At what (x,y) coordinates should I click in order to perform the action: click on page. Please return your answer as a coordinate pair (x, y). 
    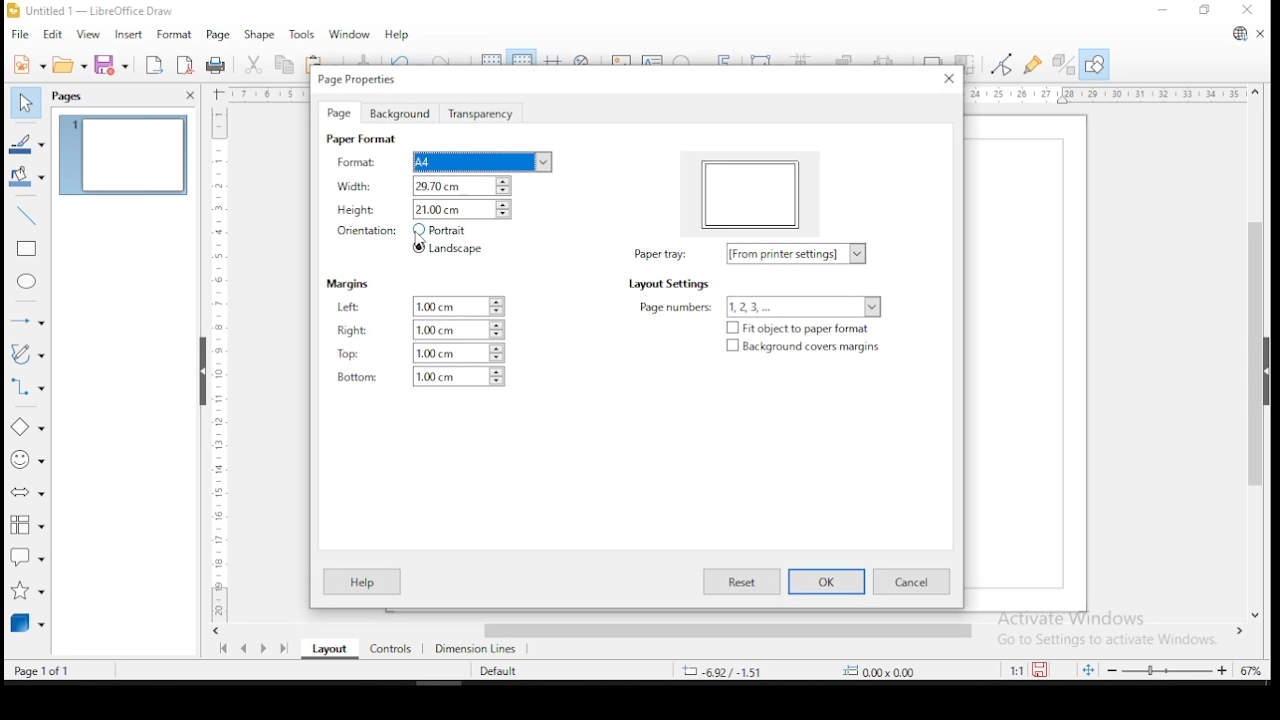
    Looking at the image, I should click on (219, 37).